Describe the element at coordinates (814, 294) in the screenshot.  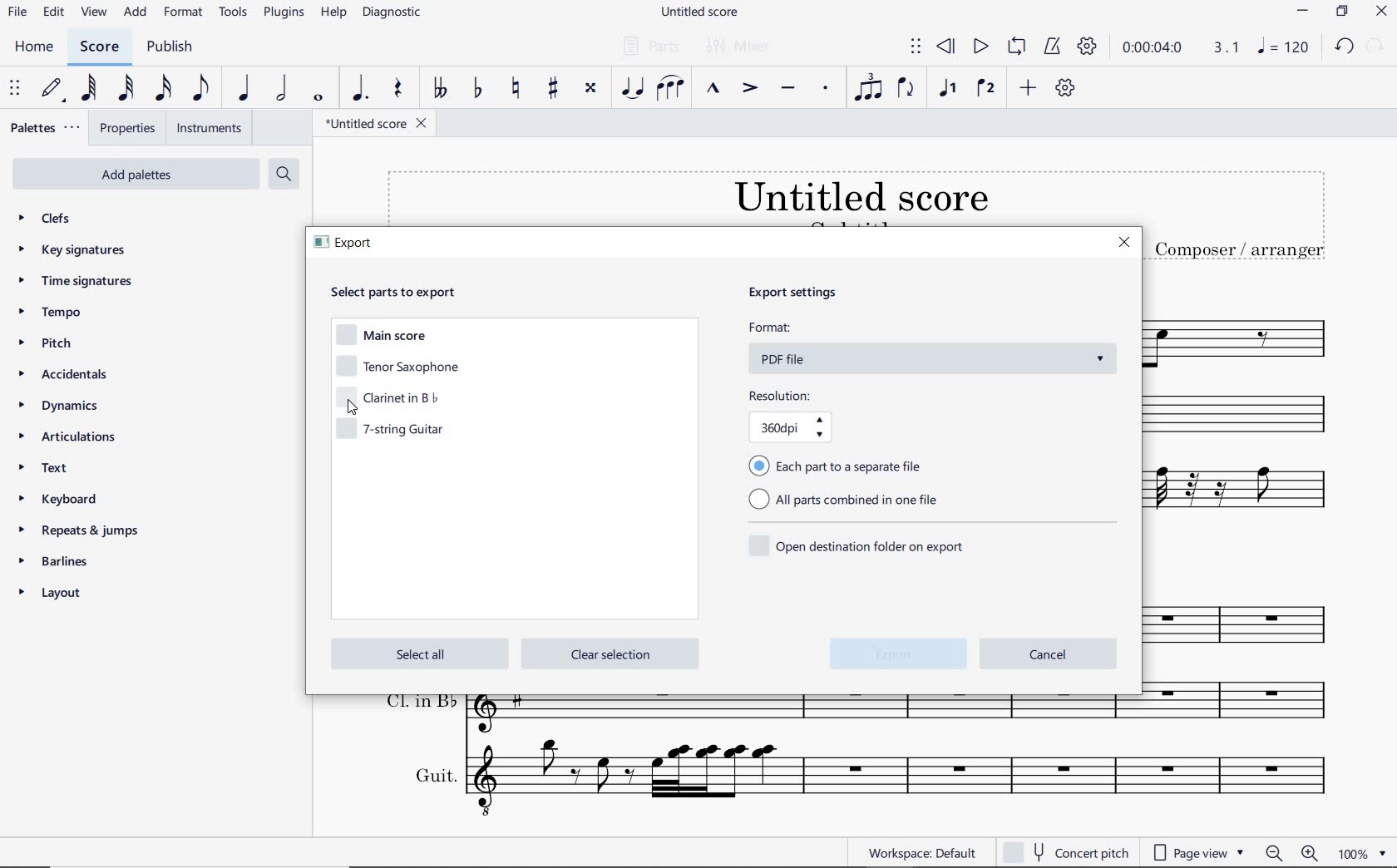
I see `export settings` at that location.